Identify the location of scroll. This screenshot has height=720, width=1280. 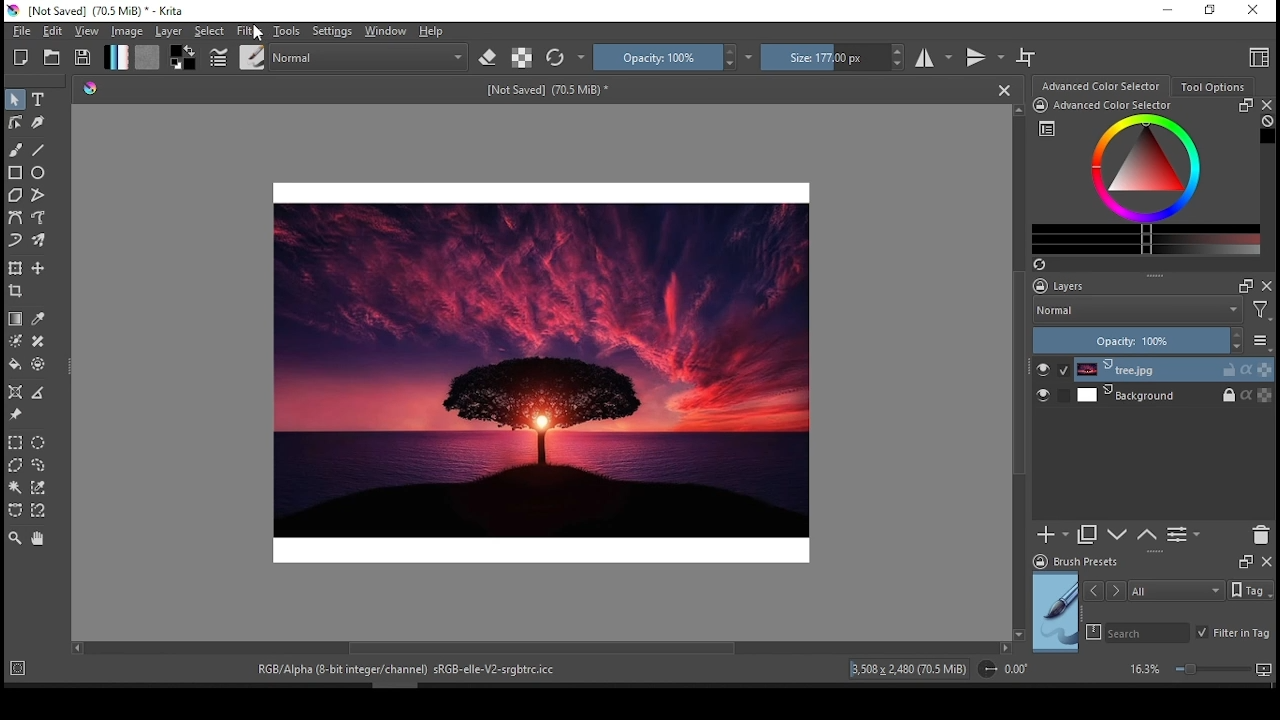
(544, 648).